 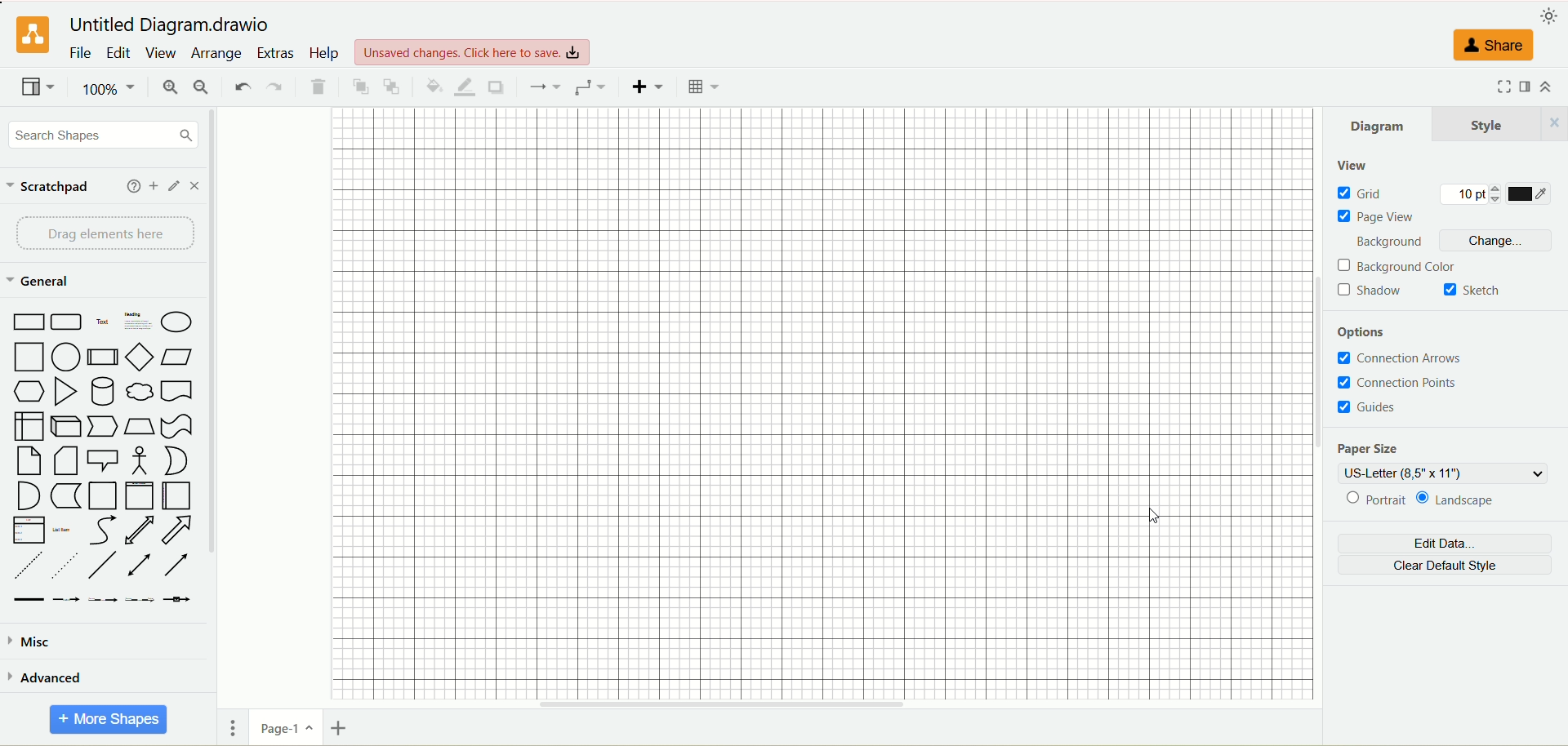 I want to click on shadow, so click(x=497, y=87).